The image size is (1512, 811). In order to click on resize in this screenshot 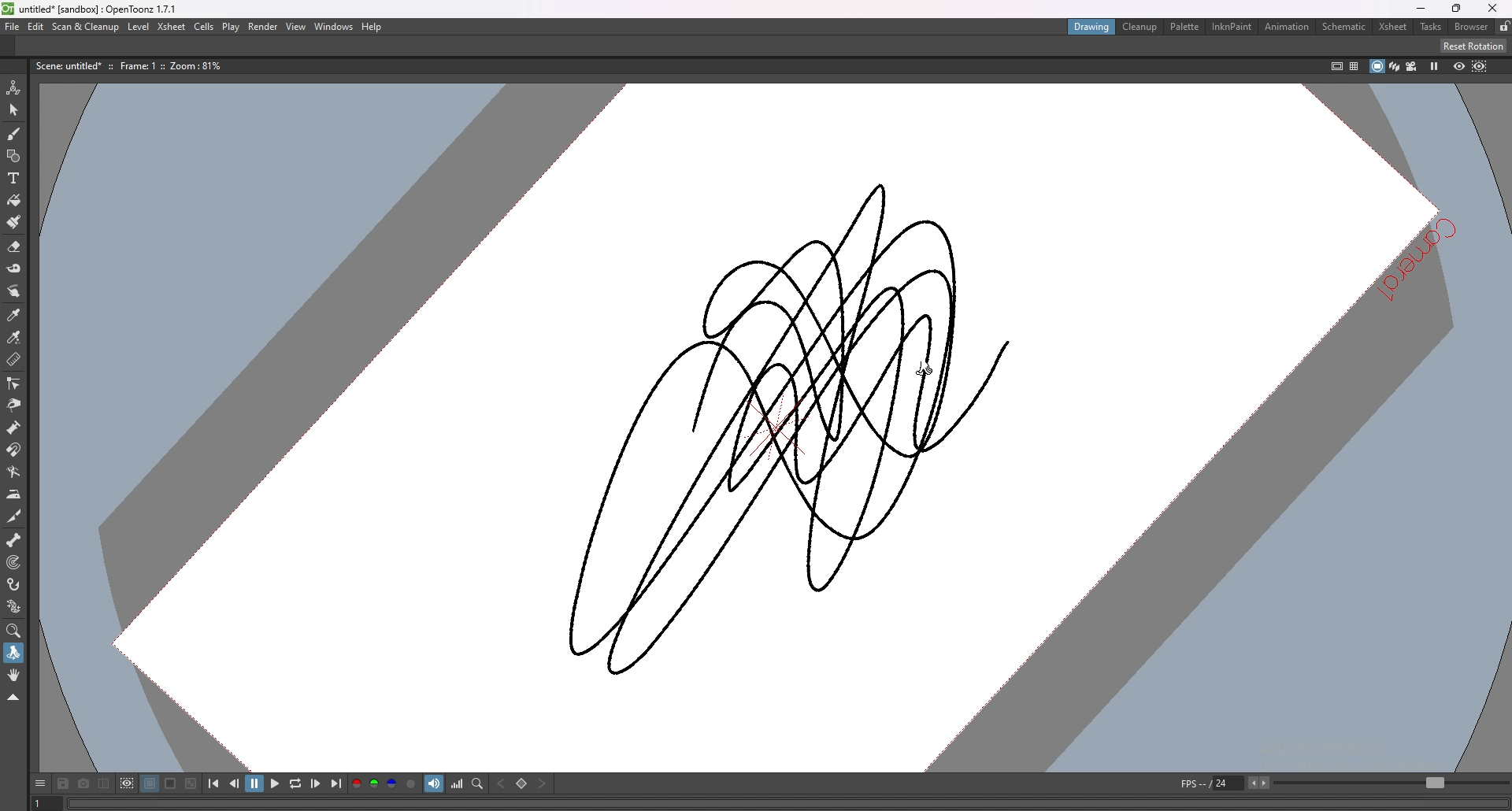, I will do `click(1457, 8)`.